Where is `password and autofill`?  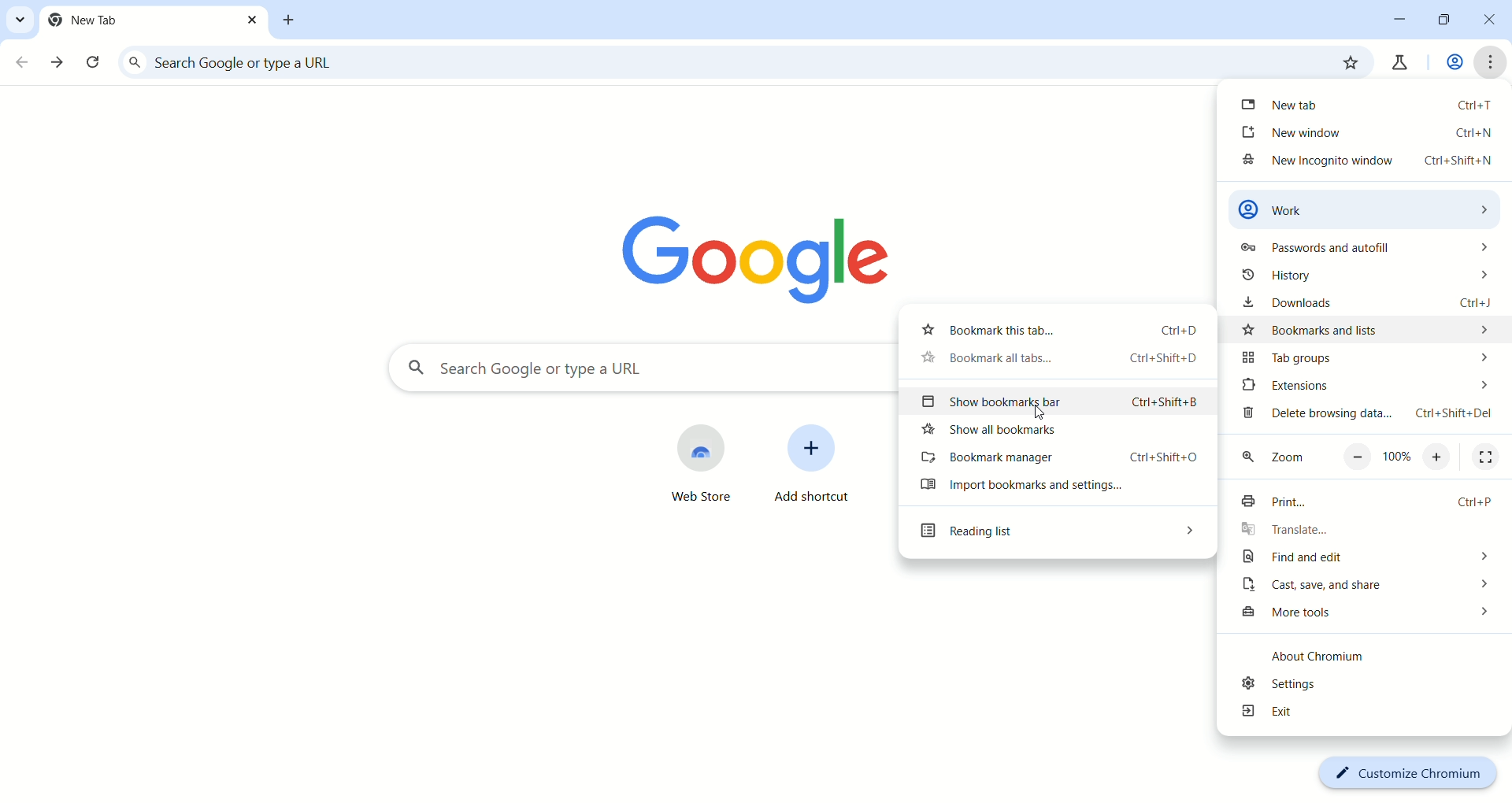 password and autofill is located at coordinates (1362, 250).